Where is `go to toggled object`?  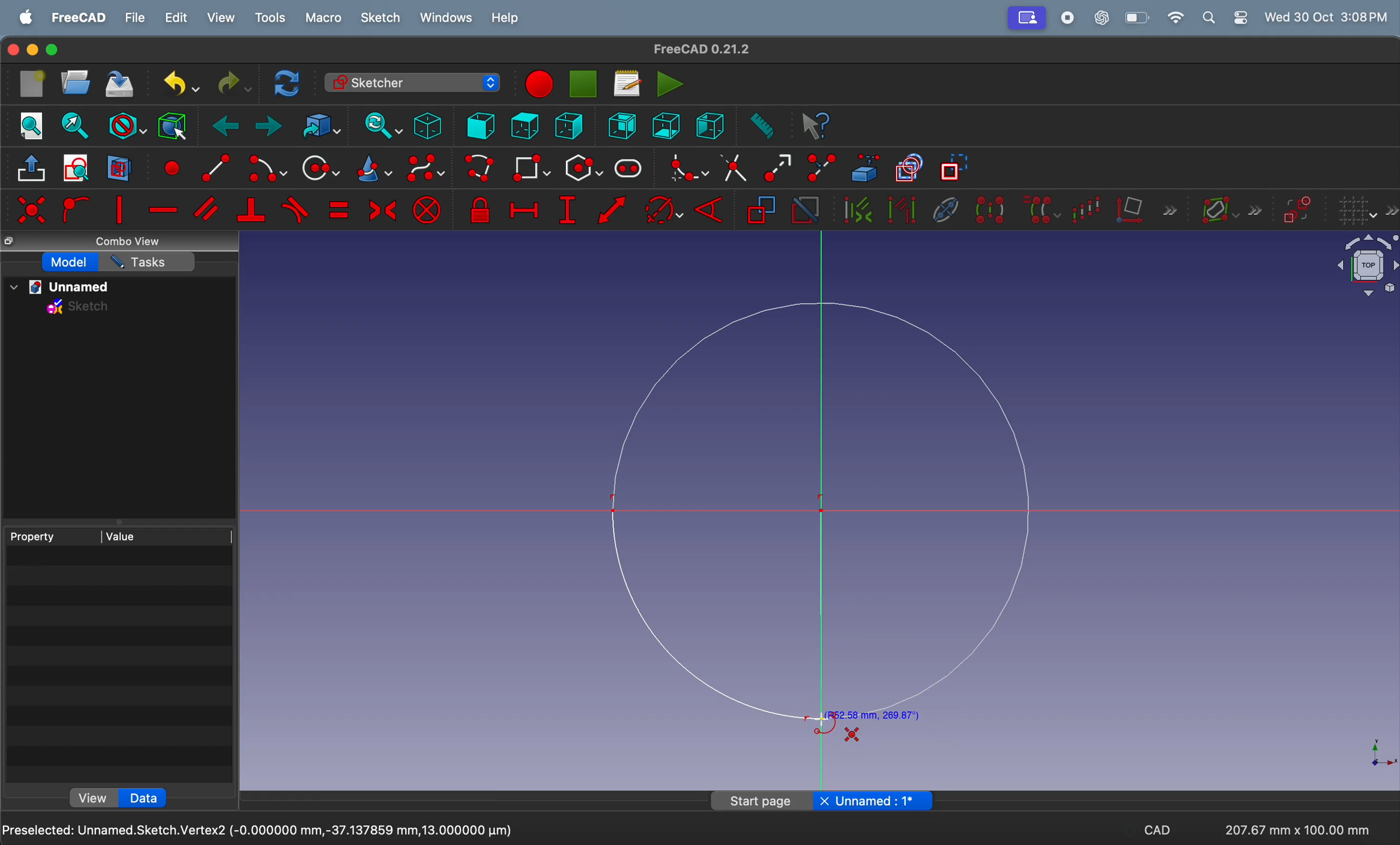 go to toggled object is located at coordinates (318, 126).